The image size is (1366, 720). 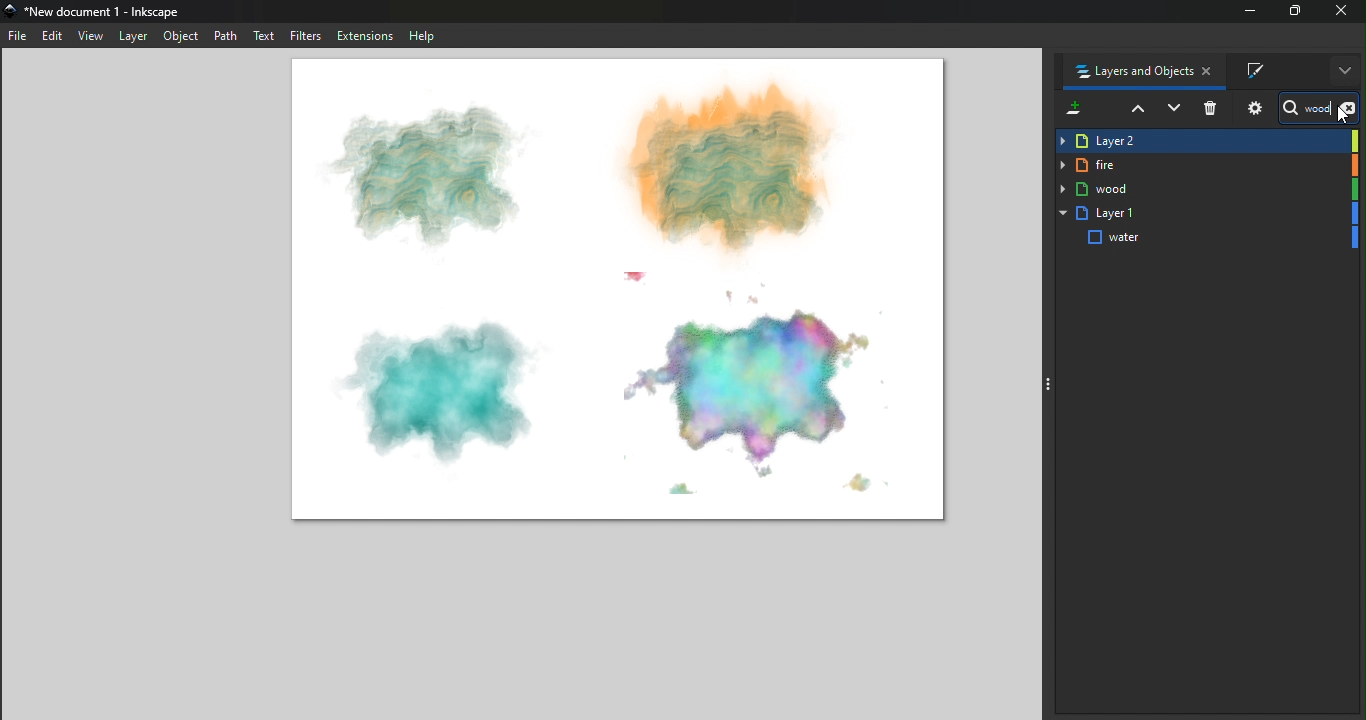 I want to click on Extensions, so click(x=365, y=35).